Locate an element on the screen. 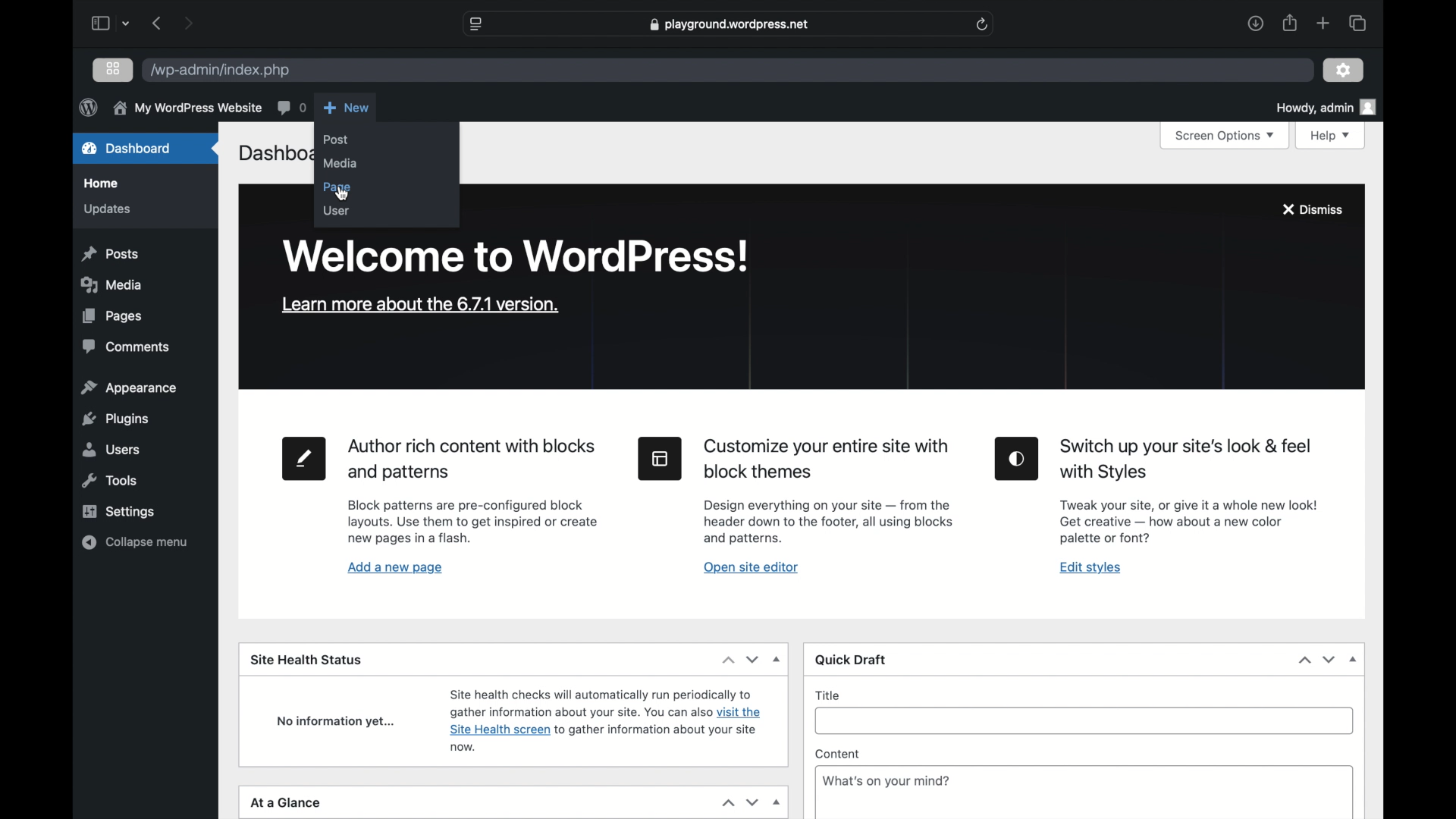 This screenshot has width=1456, height=819. dismiss is located at coordinates (1311, 209).